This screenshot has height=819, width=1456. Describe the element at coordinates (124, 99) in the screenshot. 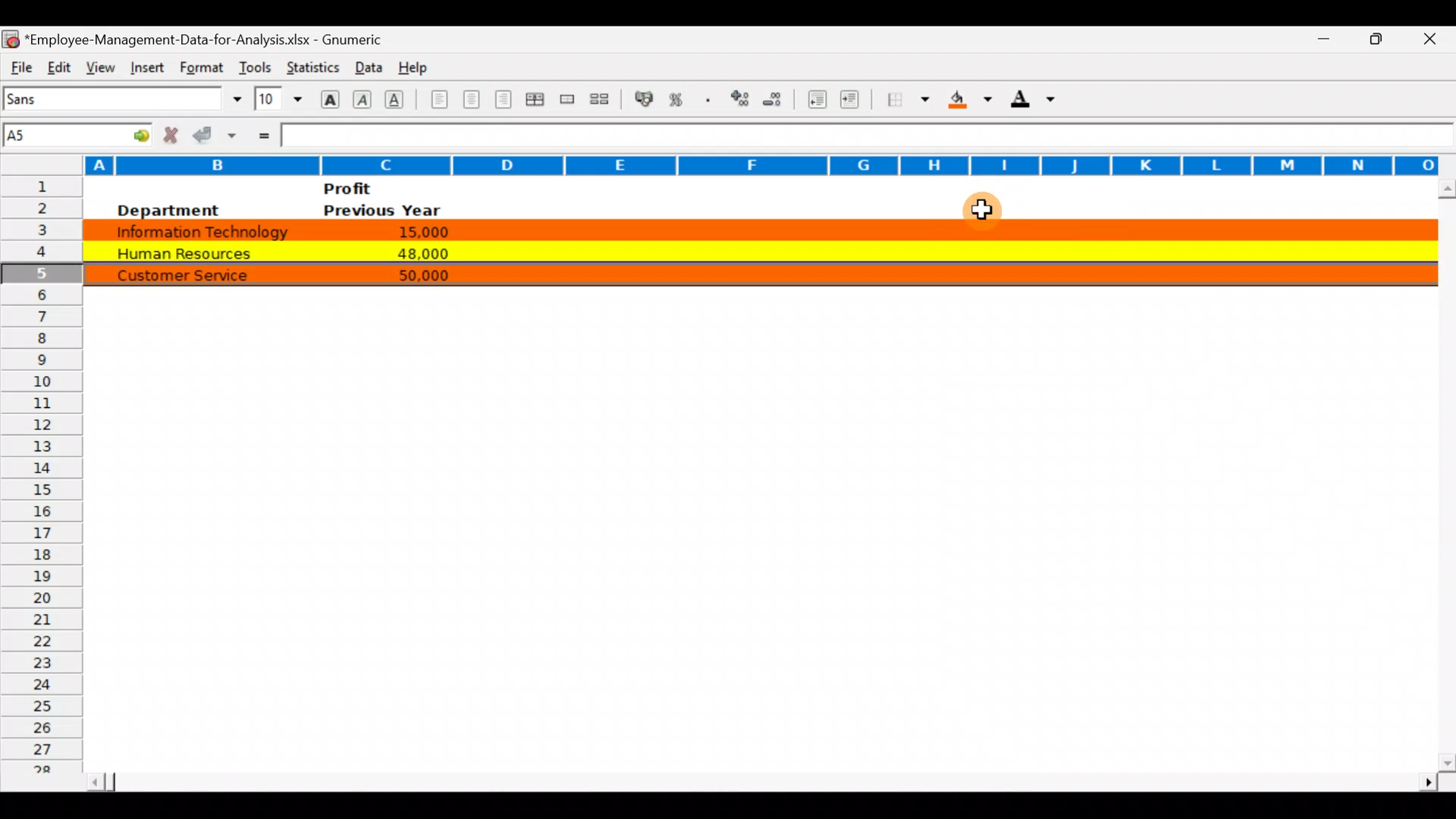

I see `Font name` at that location.